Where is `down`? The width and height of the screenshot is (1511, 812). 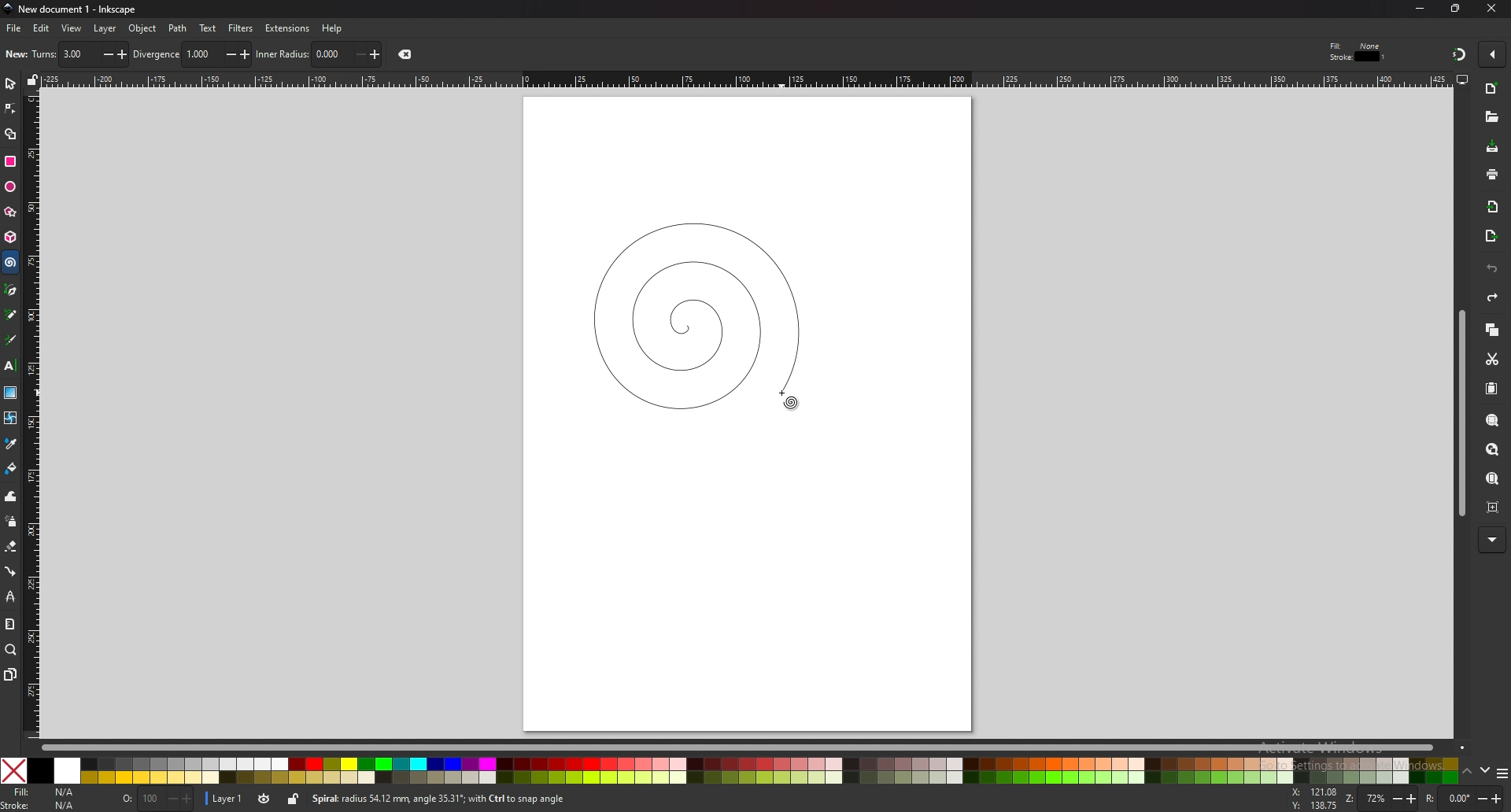
down is located at coordinates (1484, 770).